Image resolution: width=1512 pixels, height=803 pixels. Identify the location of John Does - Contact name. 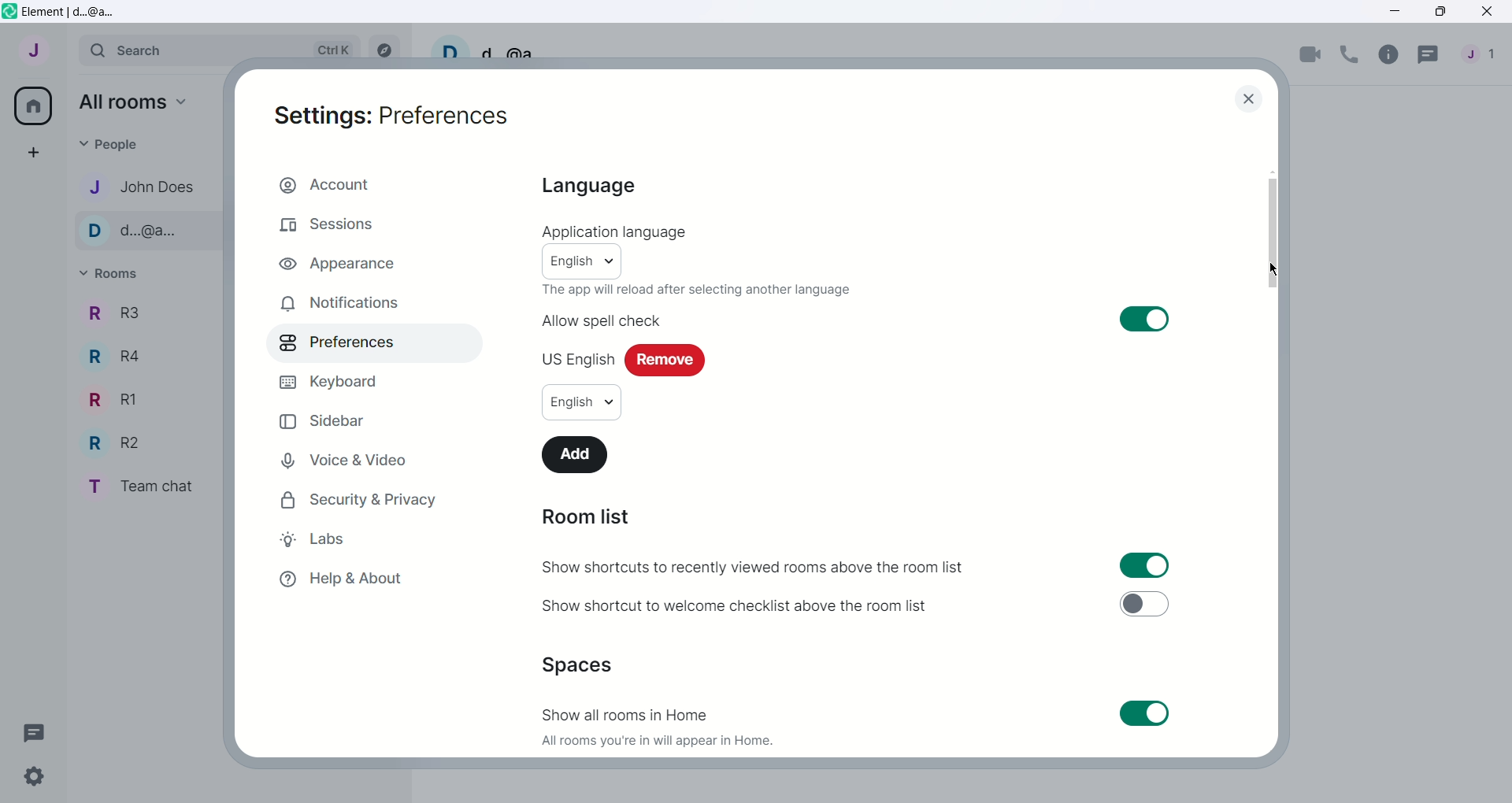
(150, 187).